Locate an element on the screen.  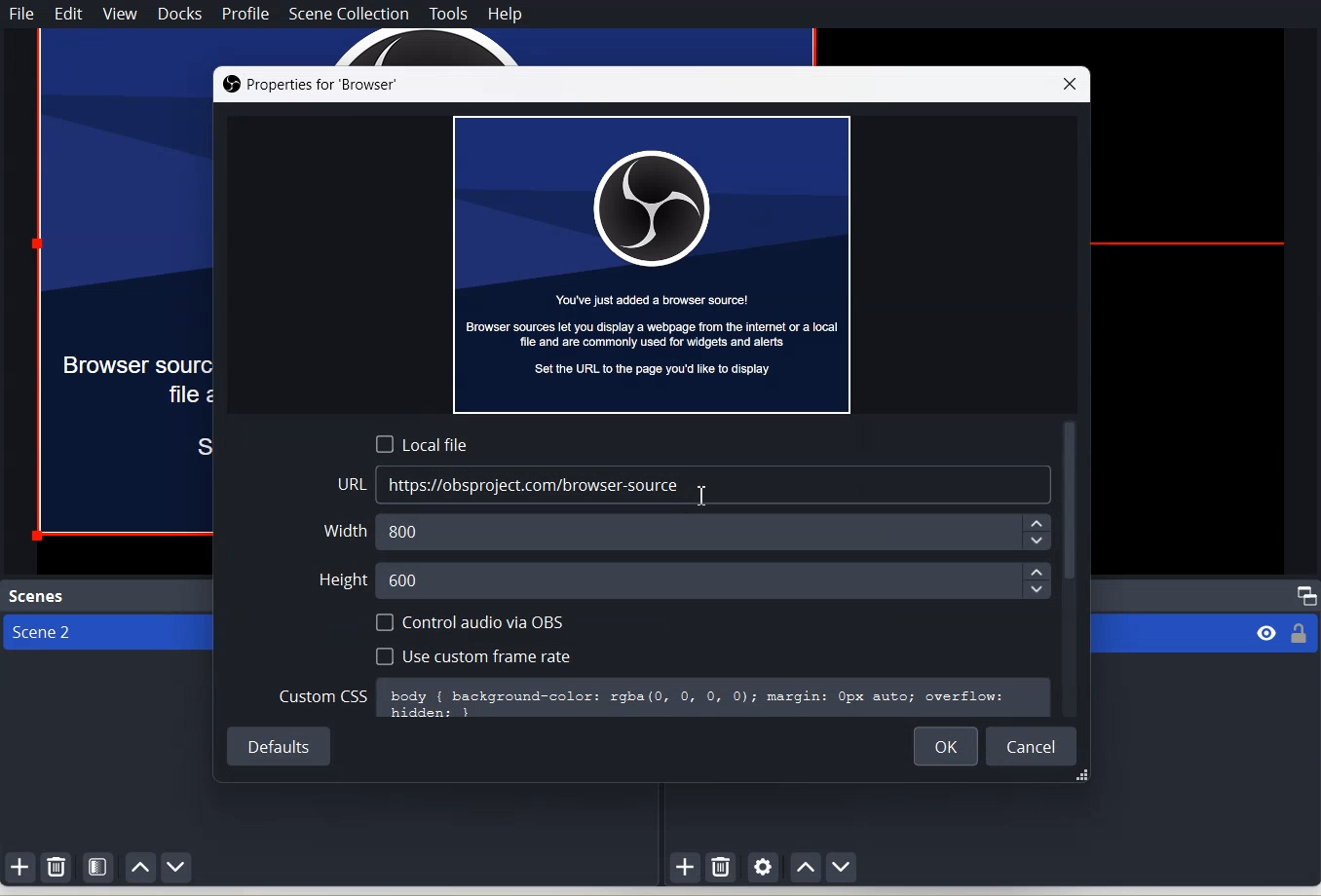
body { background-color: rgba(0, 0, 0, 0); margin: Opx auto; overflow:hiddens is located at coordinates (715, 699).